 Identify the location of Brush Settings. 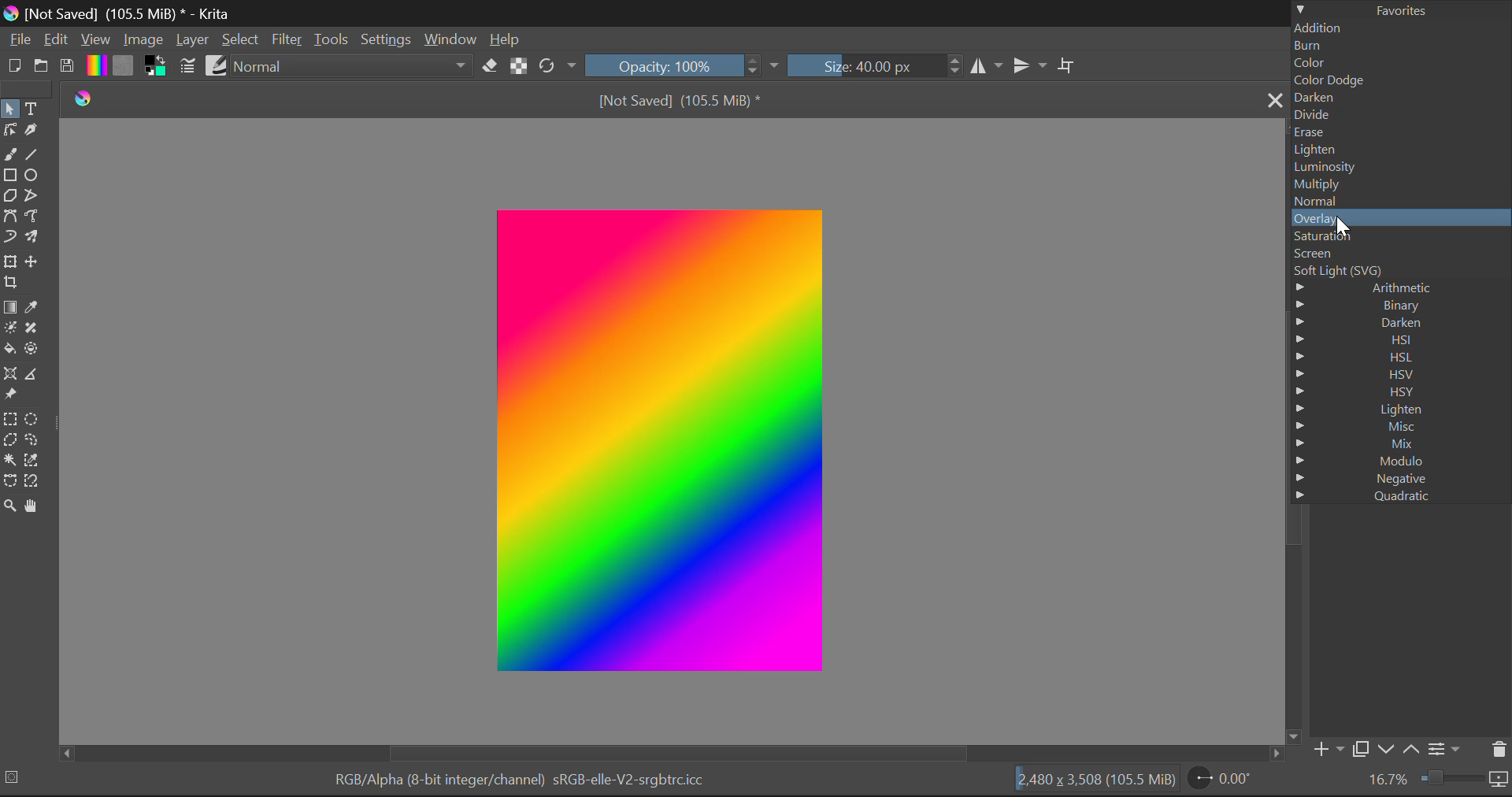
(189, 65).